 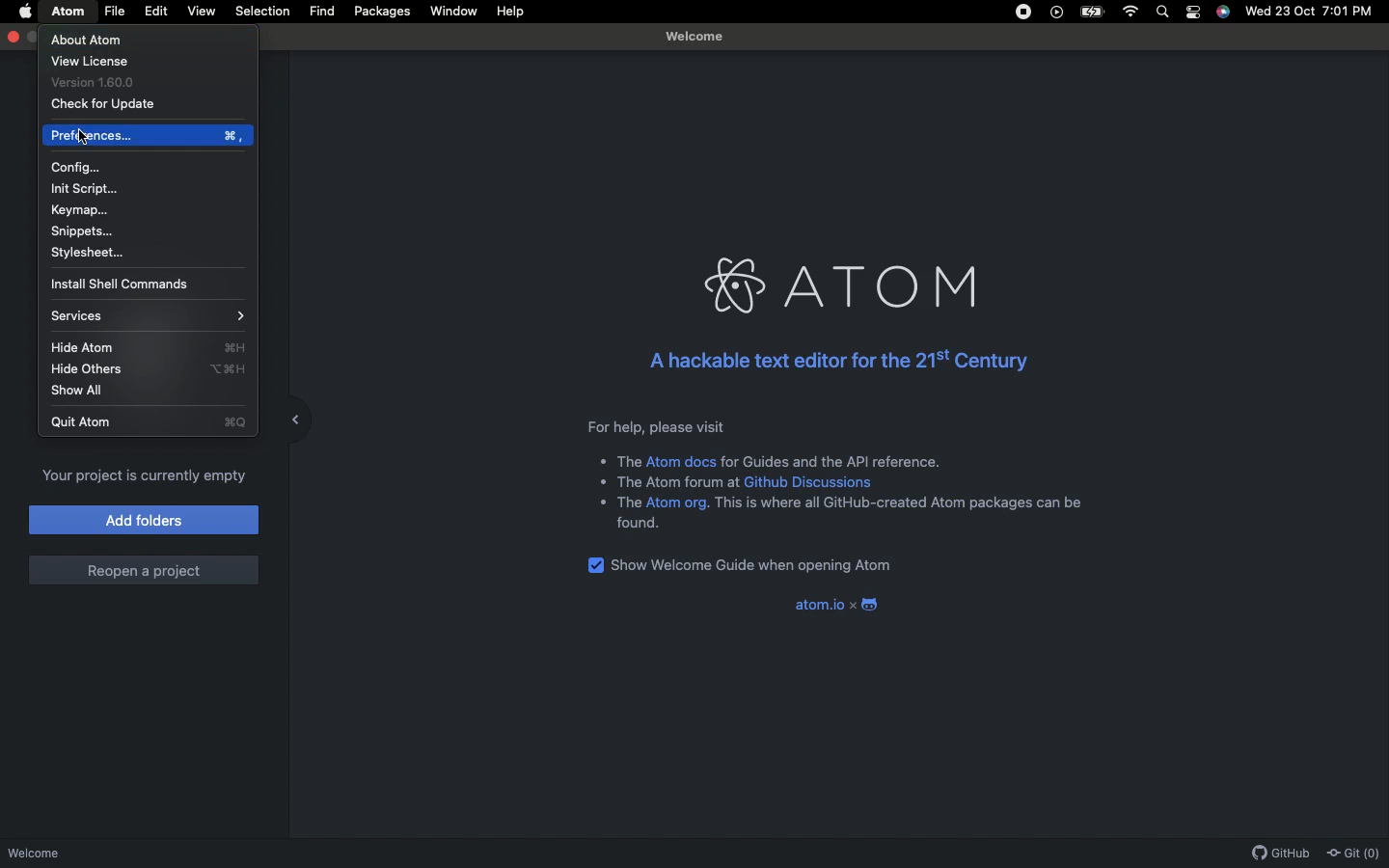 What do you see at coordinates (103, 106) in the screenshot?
I see `Check for update` at bounding box center [103, 106].